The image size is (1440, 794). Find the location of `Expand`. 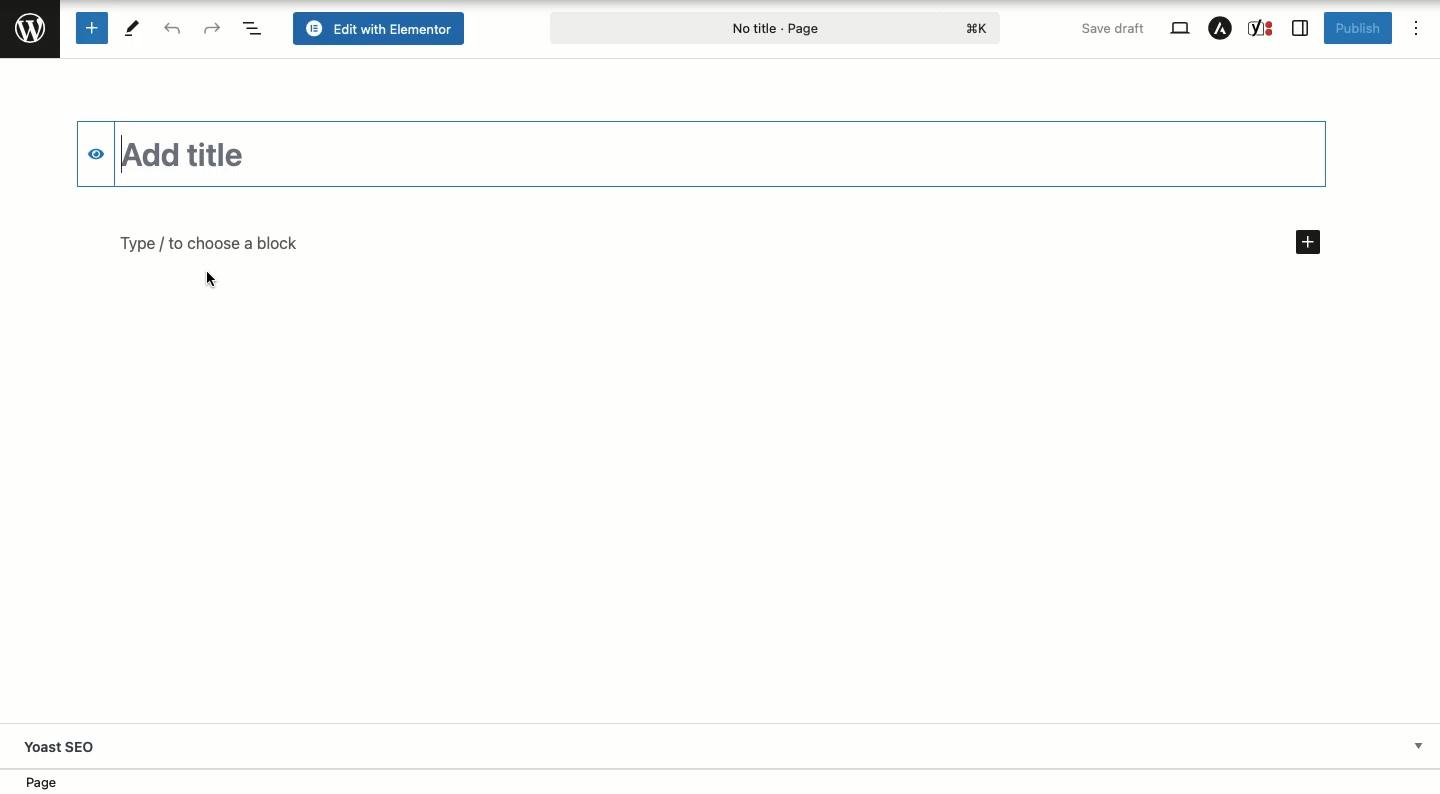

Expand is located at coordinates (1418, 745).